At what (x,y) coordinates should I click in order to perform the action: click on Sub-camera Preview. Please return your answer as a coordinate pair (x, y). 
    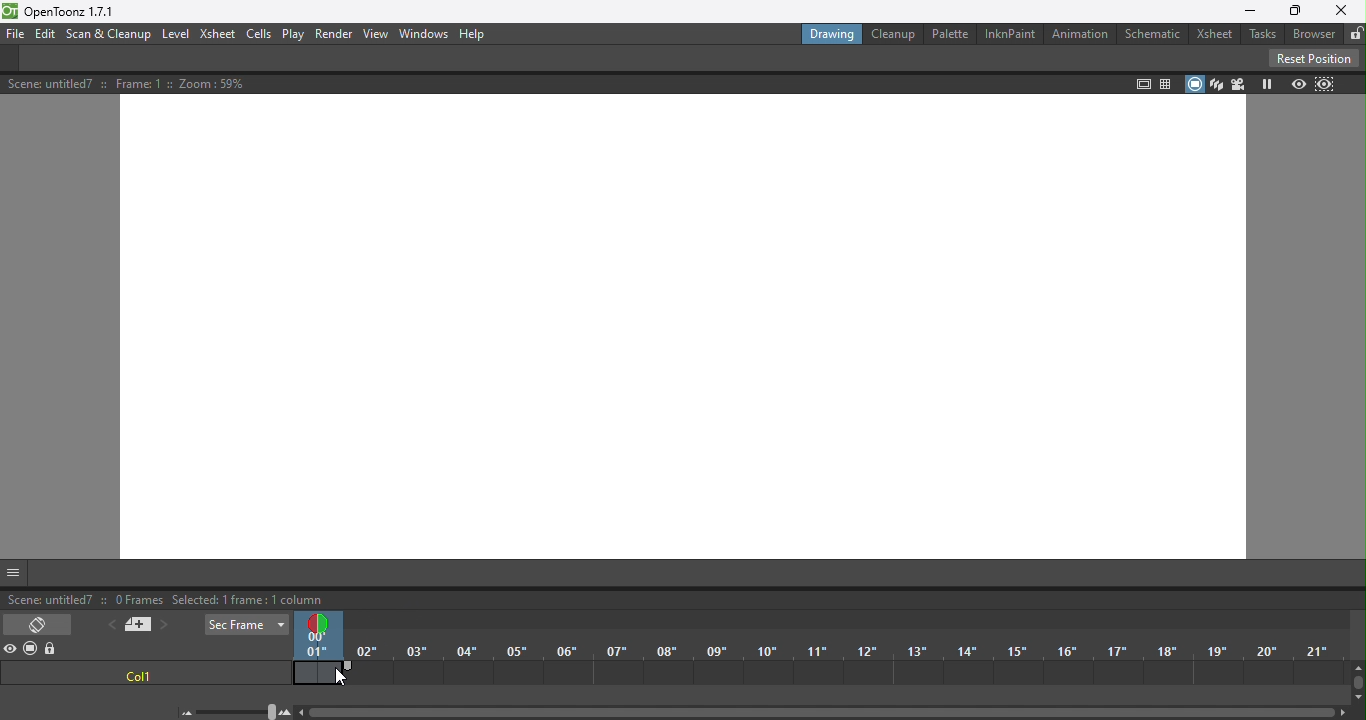
    Looking at the image, I should click on (1325, 84).